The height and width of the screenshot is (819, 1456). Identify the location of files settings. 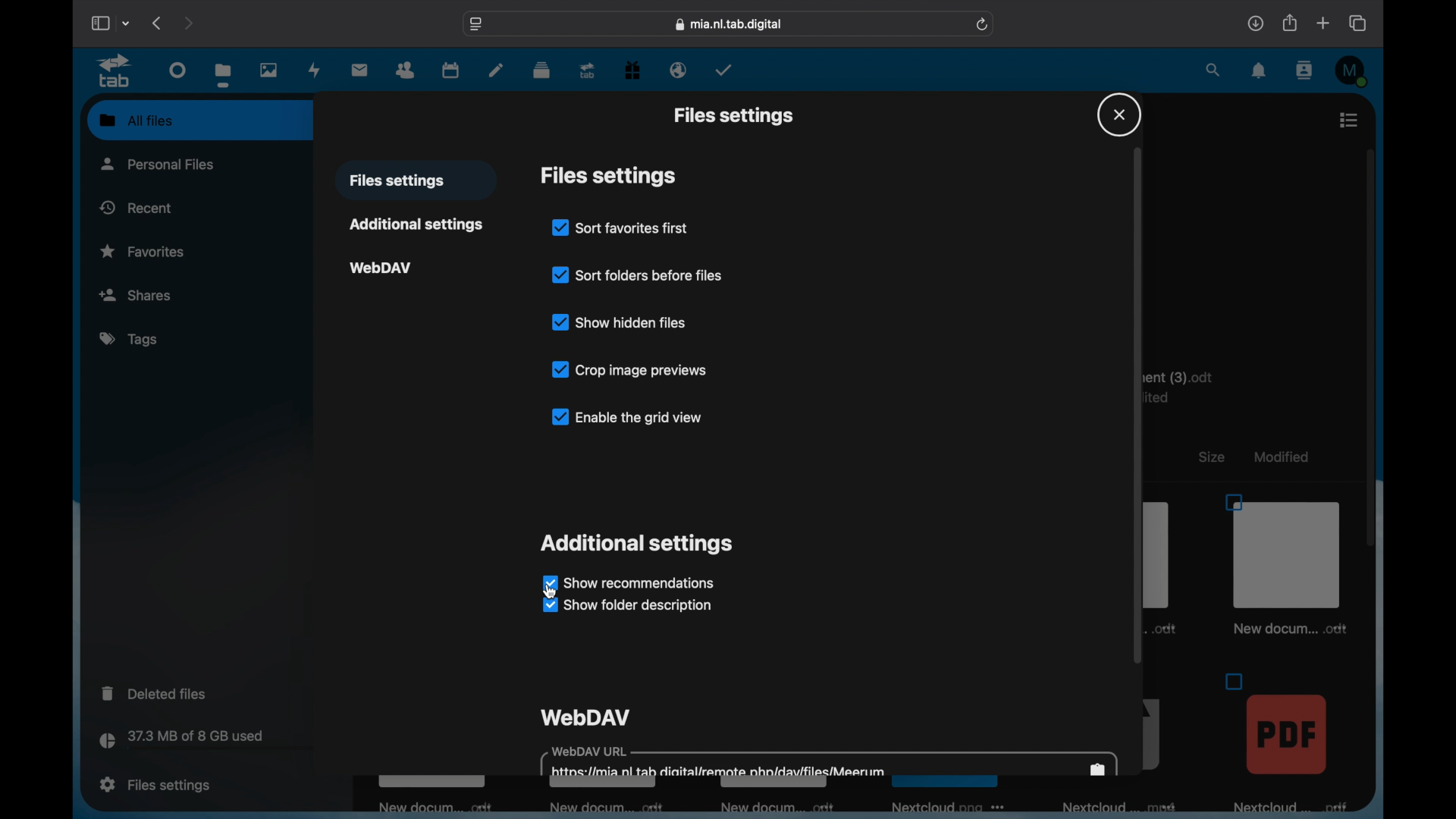
(397, 181).